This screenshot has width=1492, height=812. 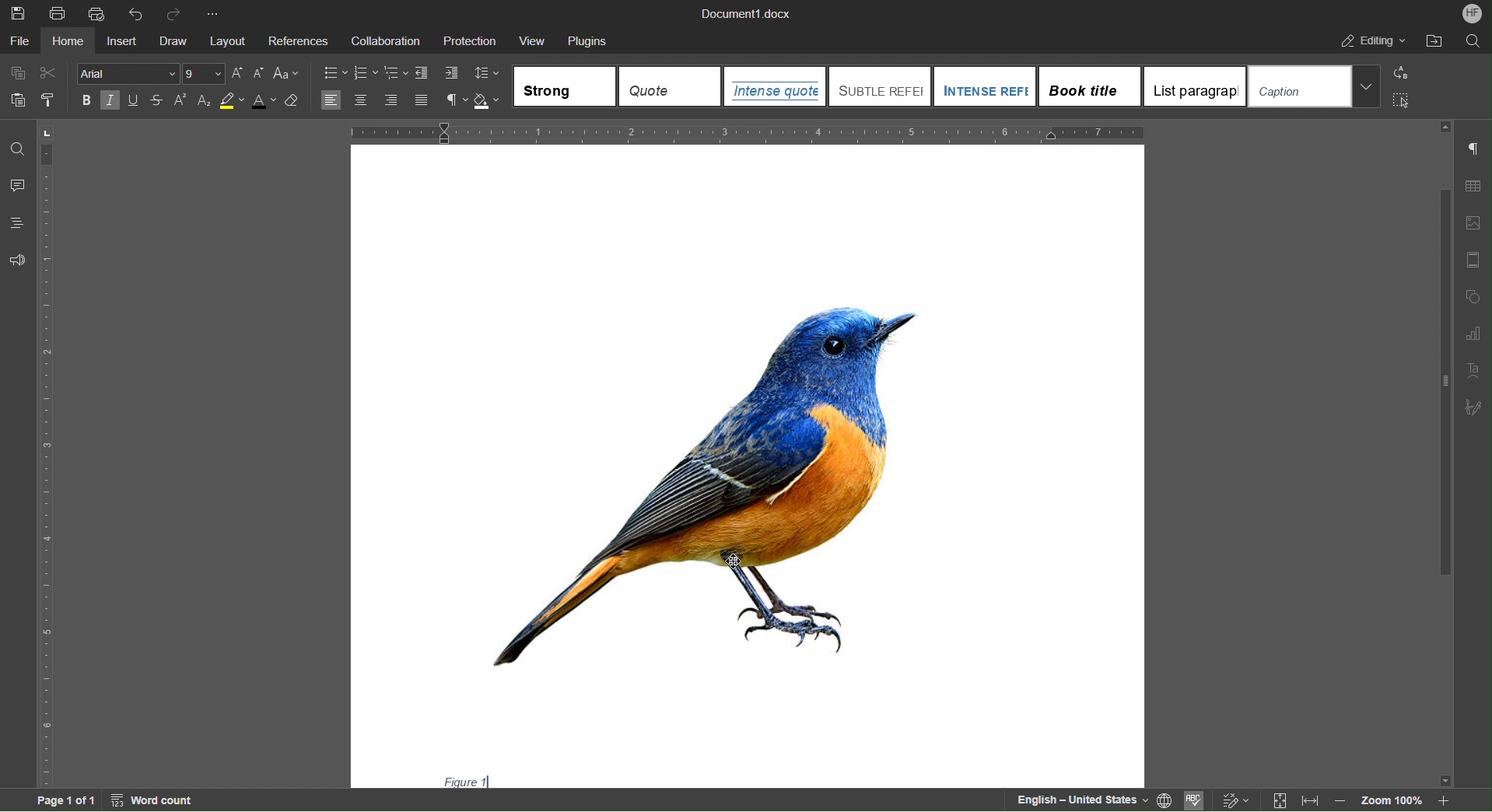 I want to click on Horizontal Ruler, so click(x=751, y=130).